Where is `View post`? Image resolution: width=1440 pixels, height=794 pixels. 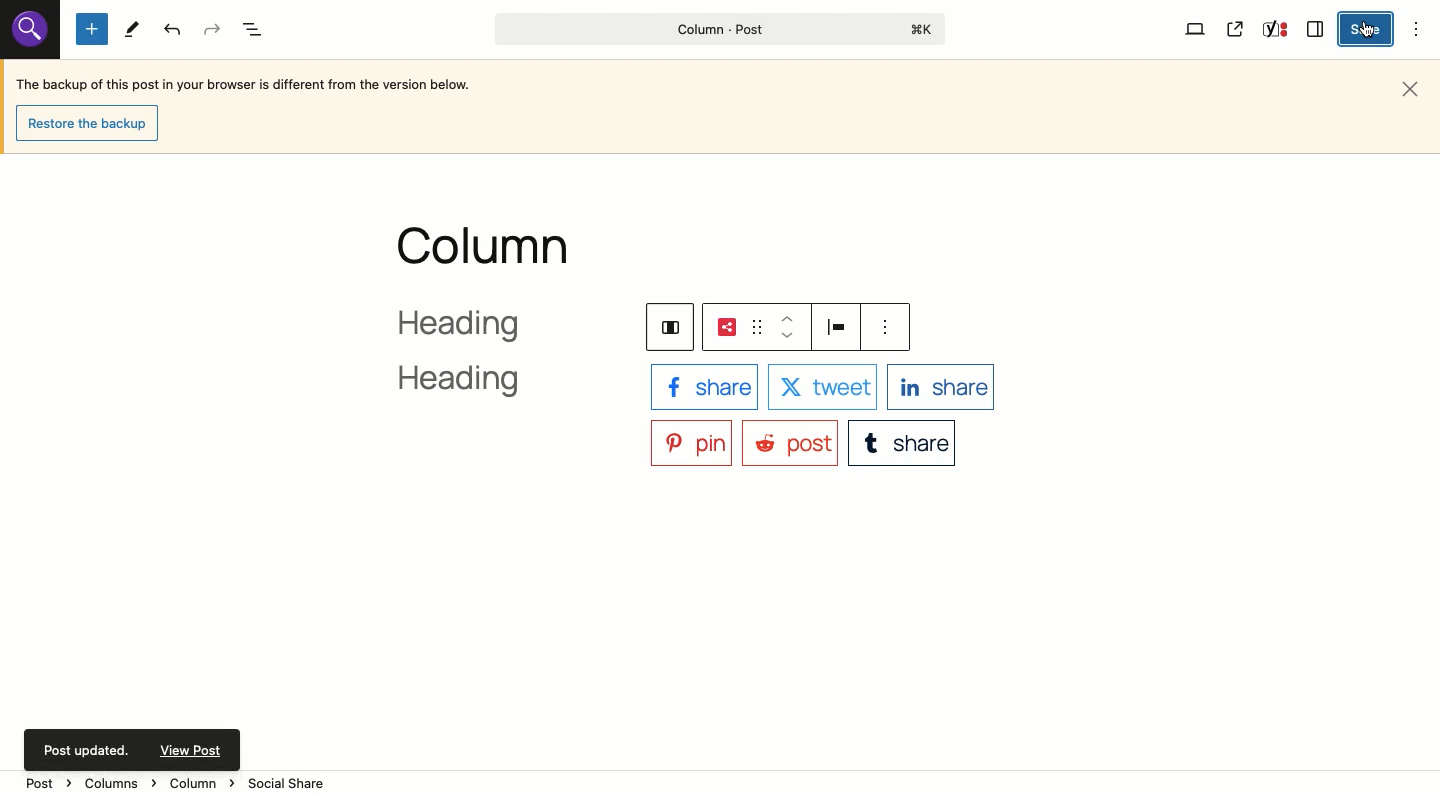 View post is located at coordinates (1236, 29).